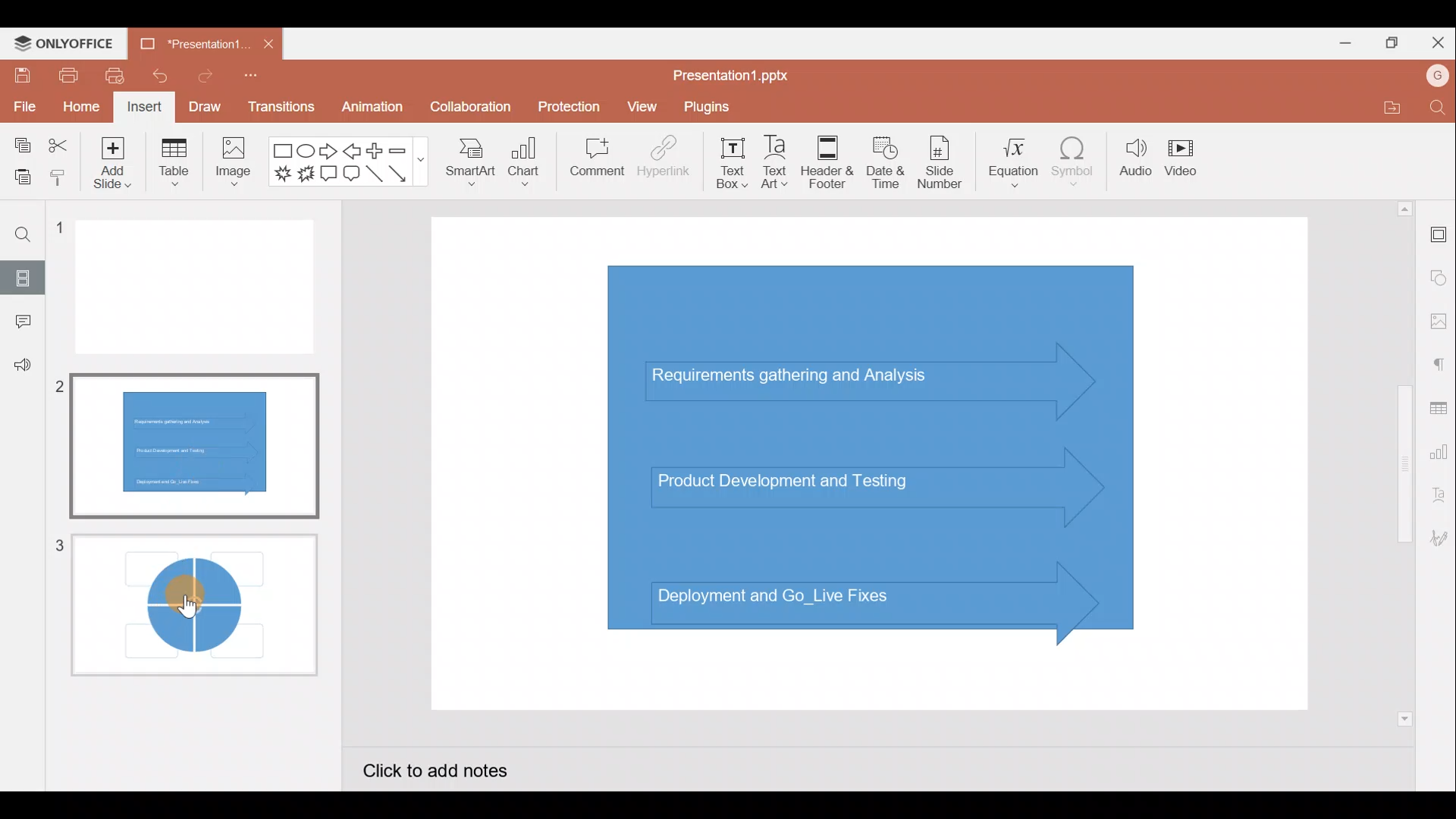 This screenshot has width=1456, height=819. What do you see at coordinates (592, 158) in the screenshot?
I see `Comment` at bounding box center [592, 158].